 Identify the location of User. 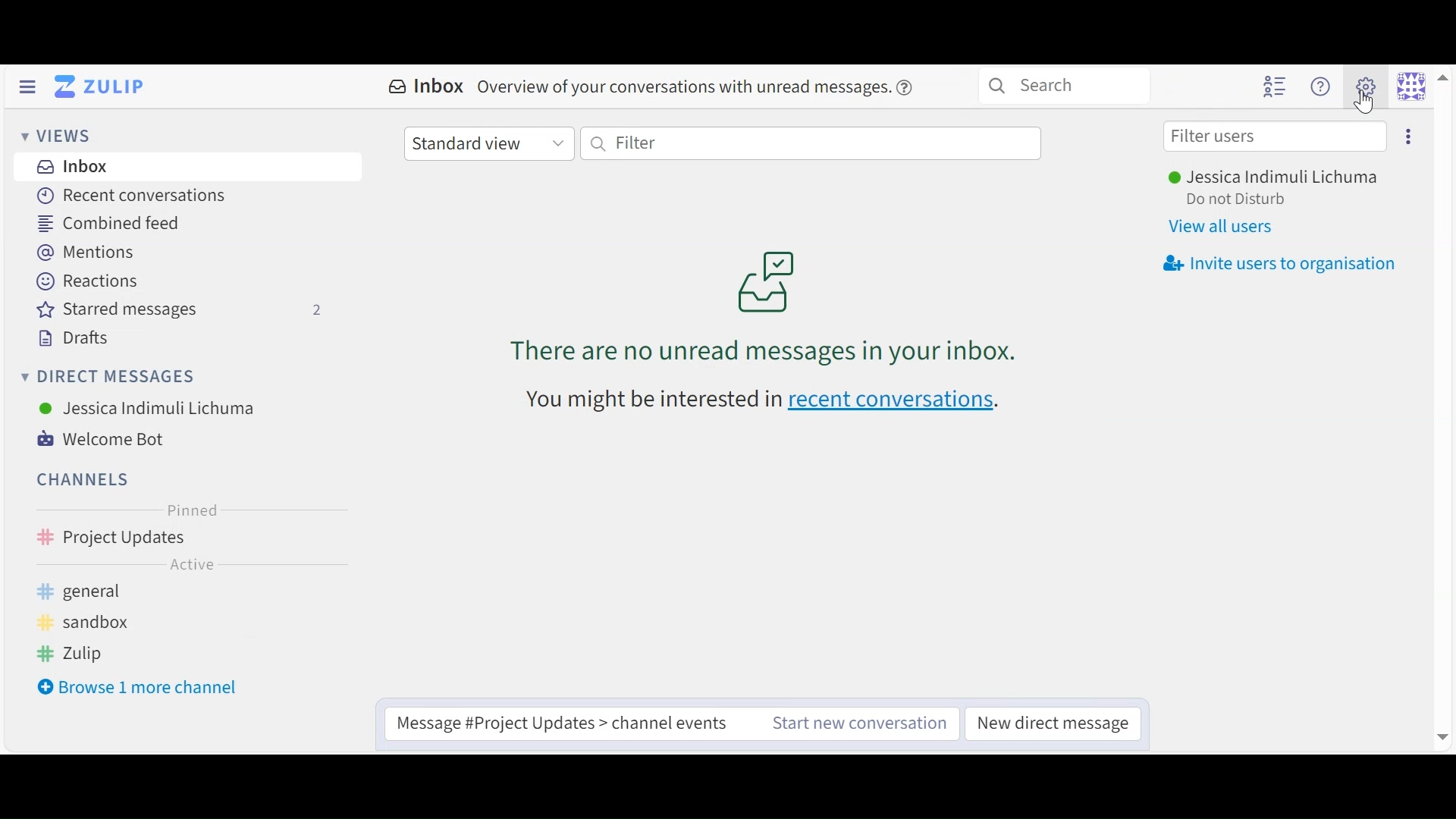
(149, 408).